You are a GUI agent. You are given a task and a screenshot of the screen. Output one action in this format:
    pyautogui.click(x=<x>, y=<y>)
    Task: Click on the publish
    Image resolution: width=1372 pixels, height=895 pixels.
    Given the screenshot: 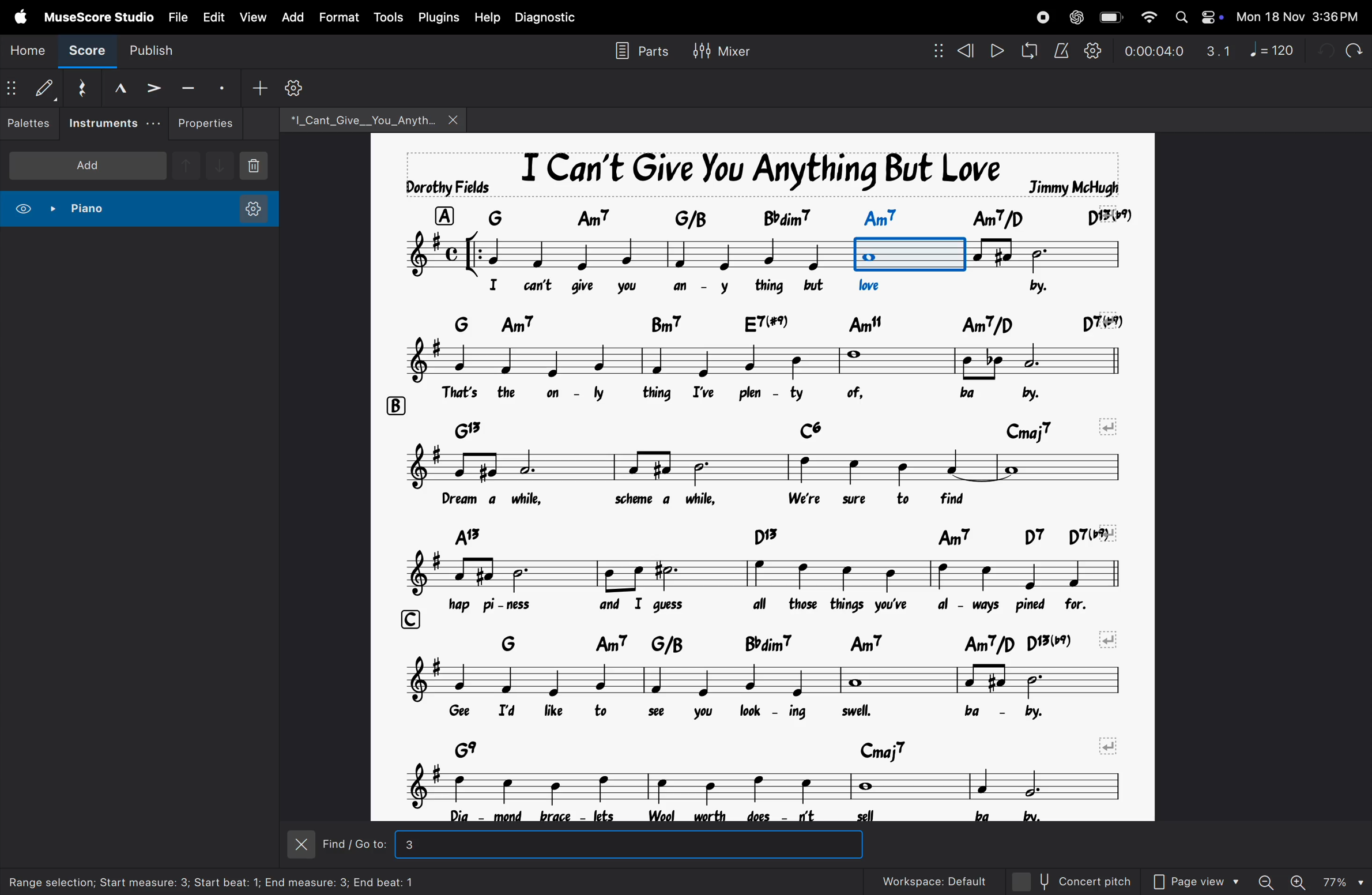 What is the action you would take?
    pyautogui.click(x=149, y=52)
    